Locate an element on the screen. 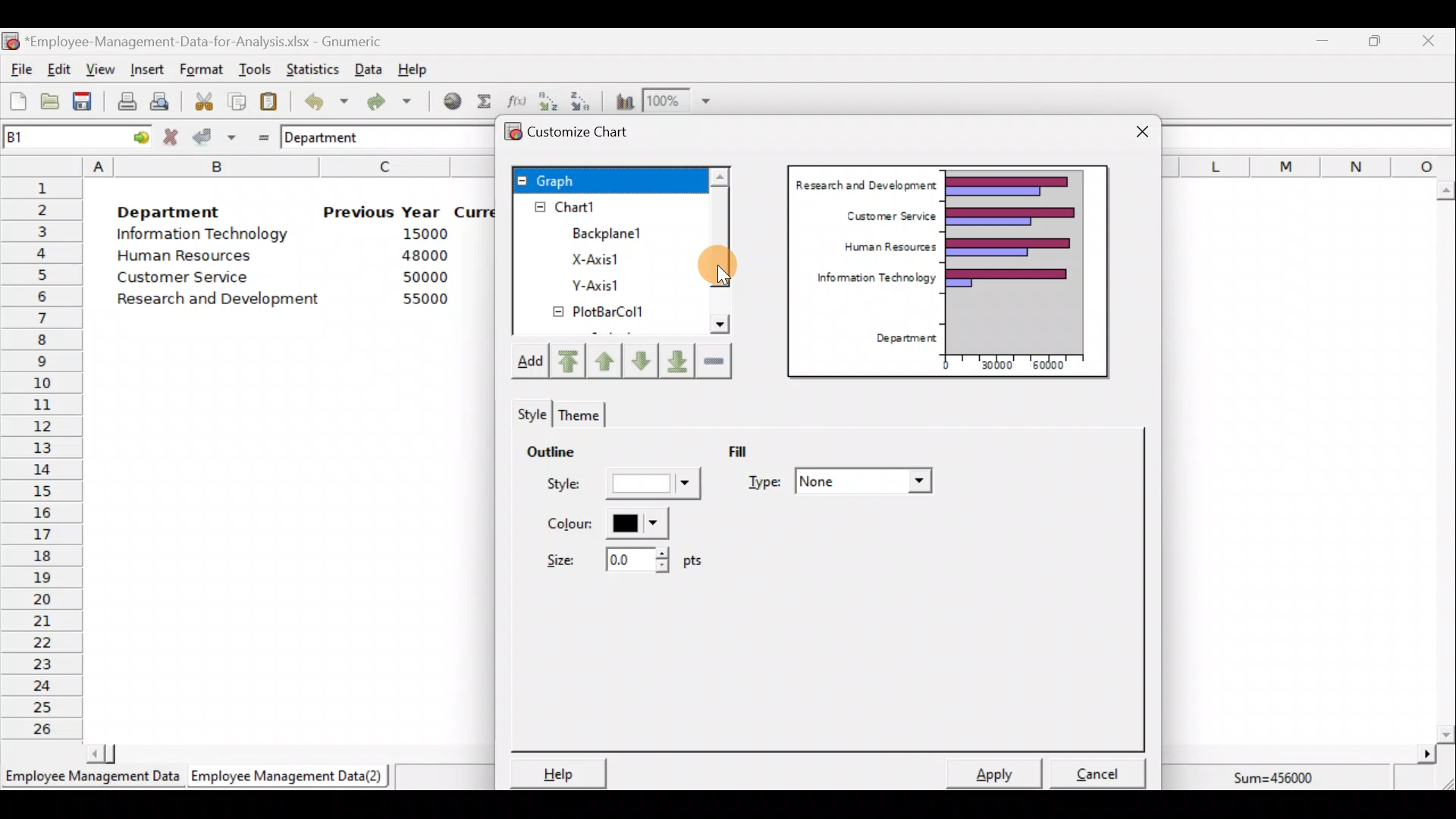  Print current file is located at coordinates (127, 101).